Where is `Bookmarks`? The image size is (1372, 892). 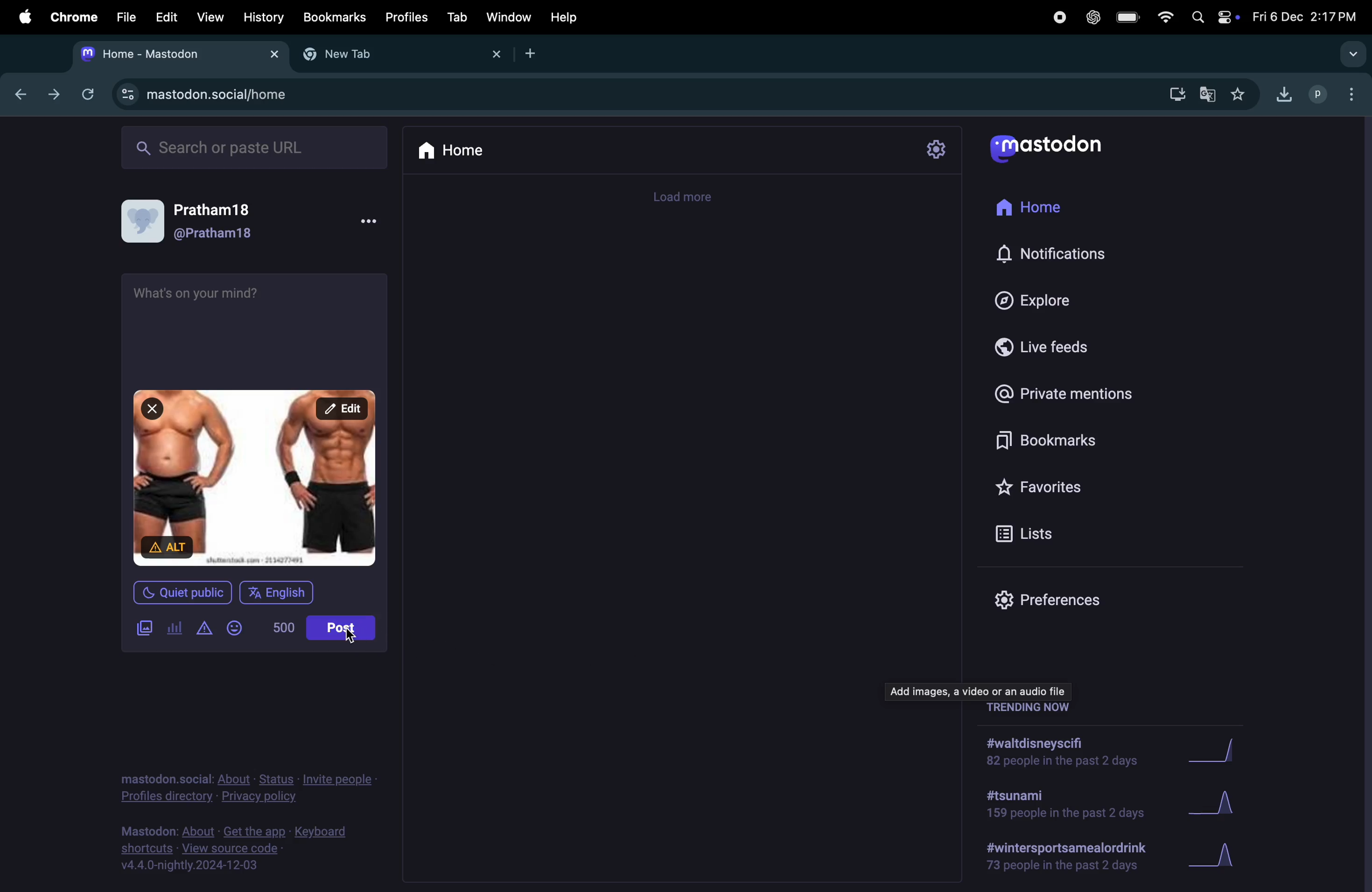 Bookmarks is located at coordinates (334, 16).